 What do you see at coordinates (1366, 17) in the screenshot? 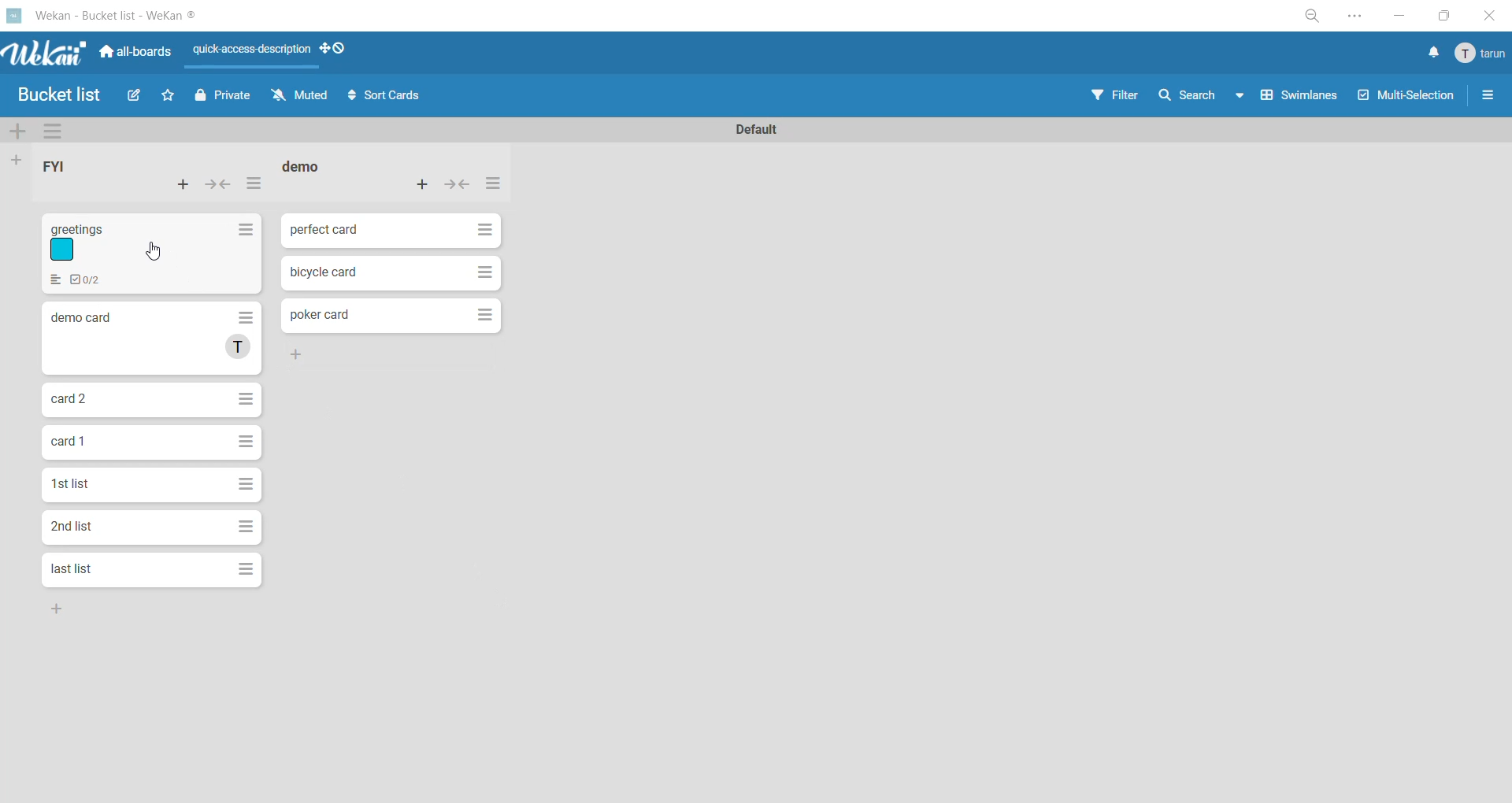
I see `settings` at bounding box center [1366, 17].